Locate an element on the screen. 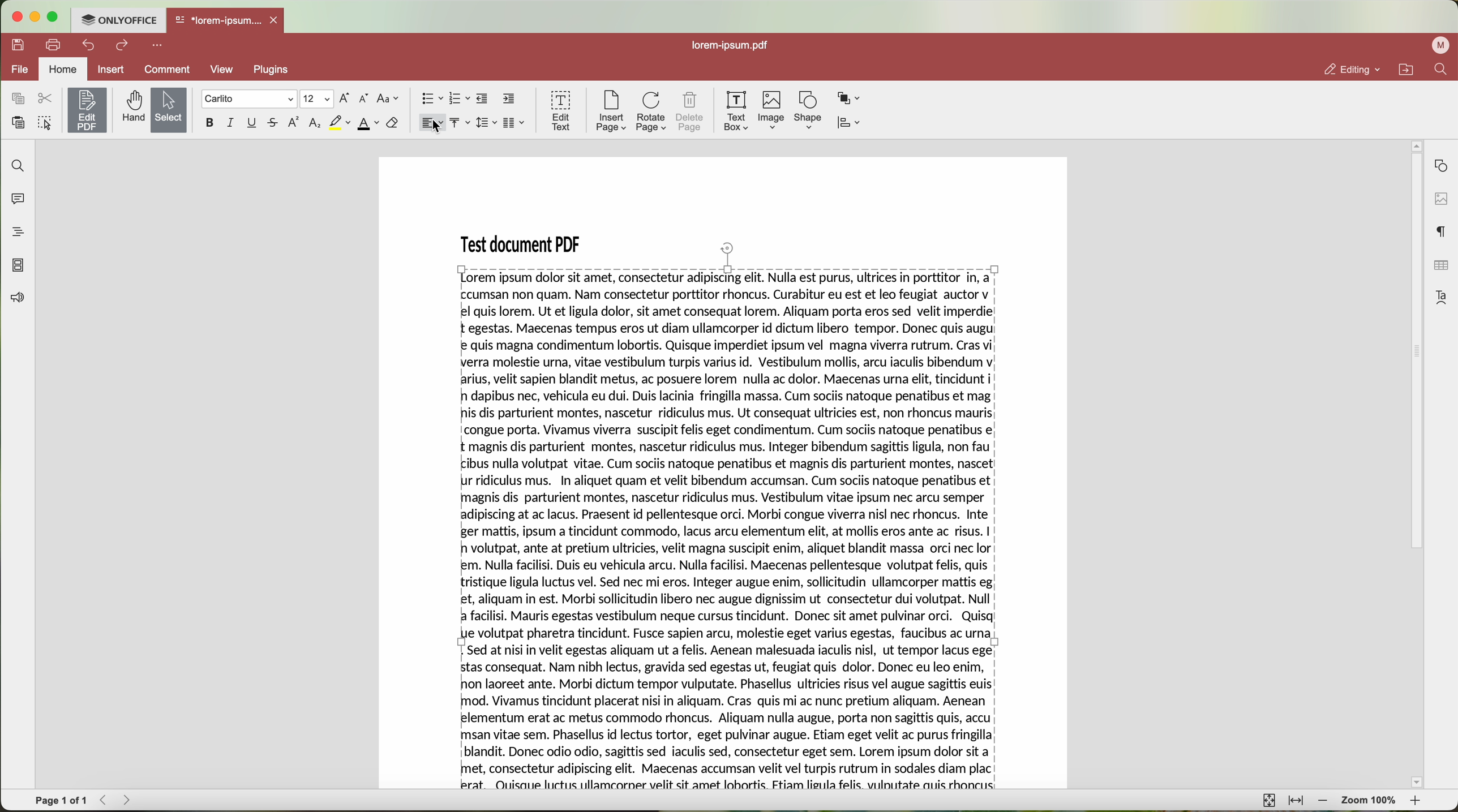 This screenshot has height=812, width=1458. insert columns is located at coordinates (513, 123).